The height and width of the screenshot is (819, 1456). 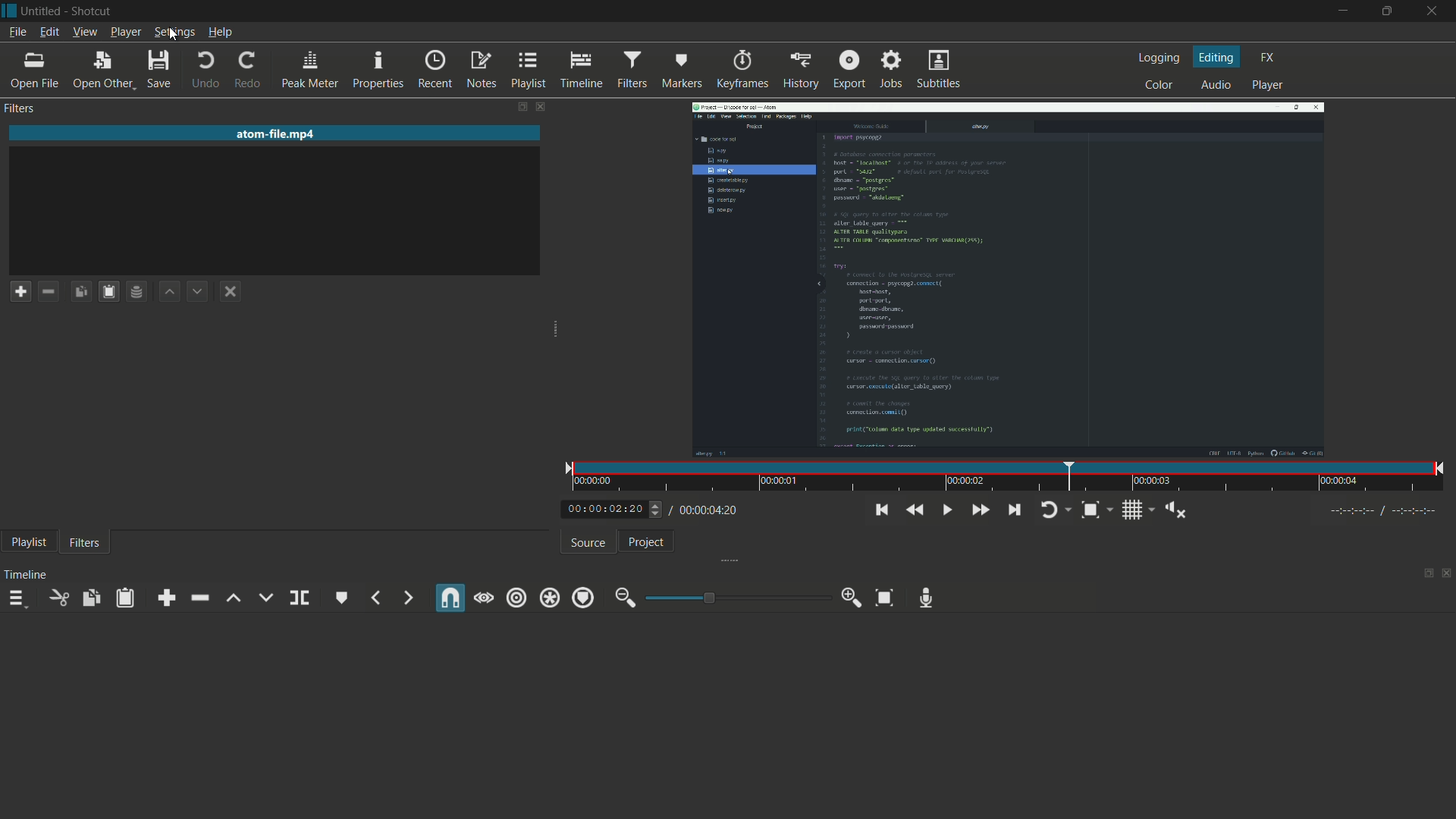 What do you see at coordinates (17, 599) in the screenshot?
I see `timeline menu` at bounding box center [17, 599].